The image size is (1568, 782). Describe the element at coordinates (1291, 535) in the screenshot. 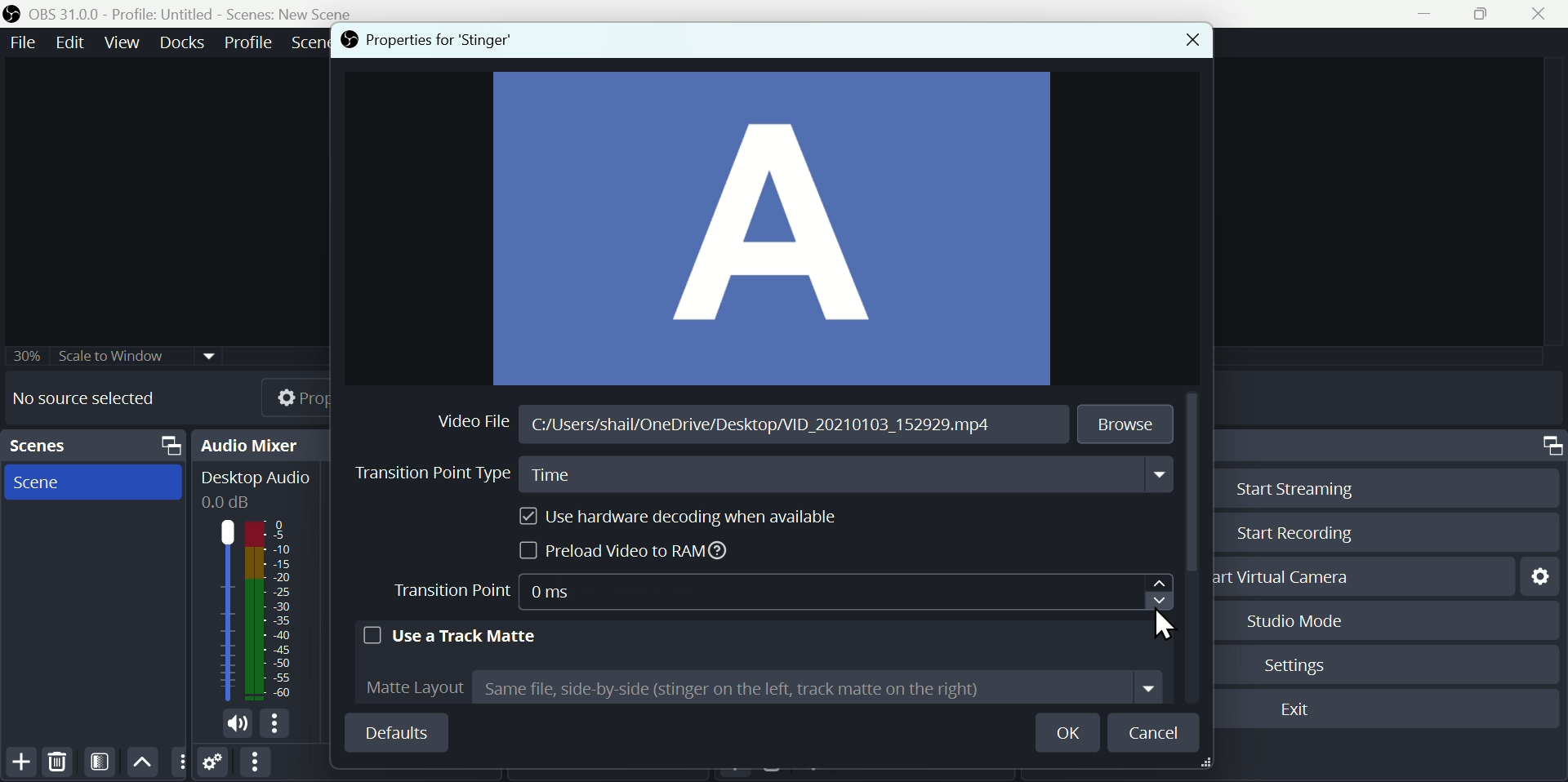

I see `Start recording` at that location.